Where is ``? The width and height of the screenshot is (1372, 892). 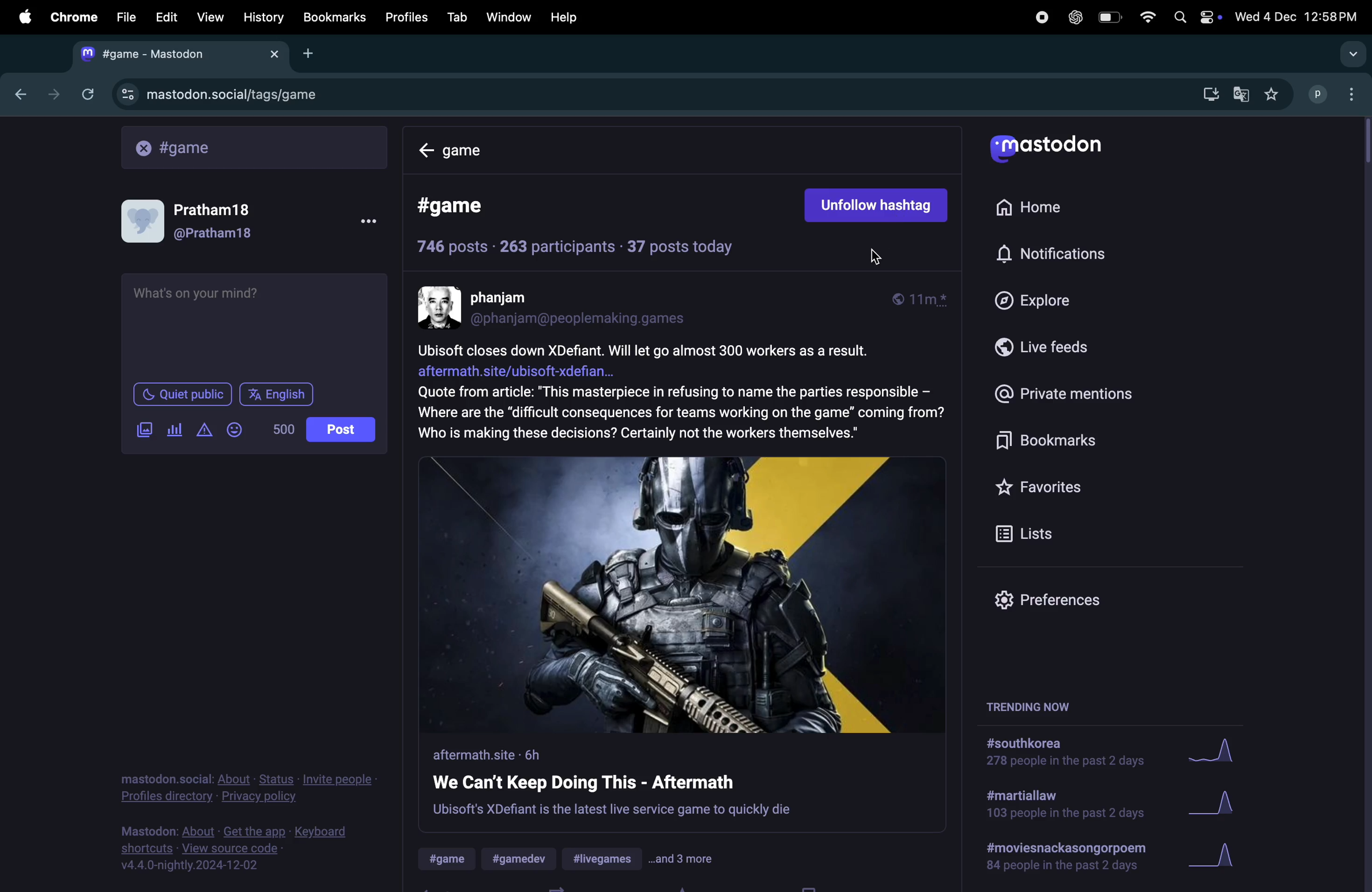
 is located at coordinates (691, 245).